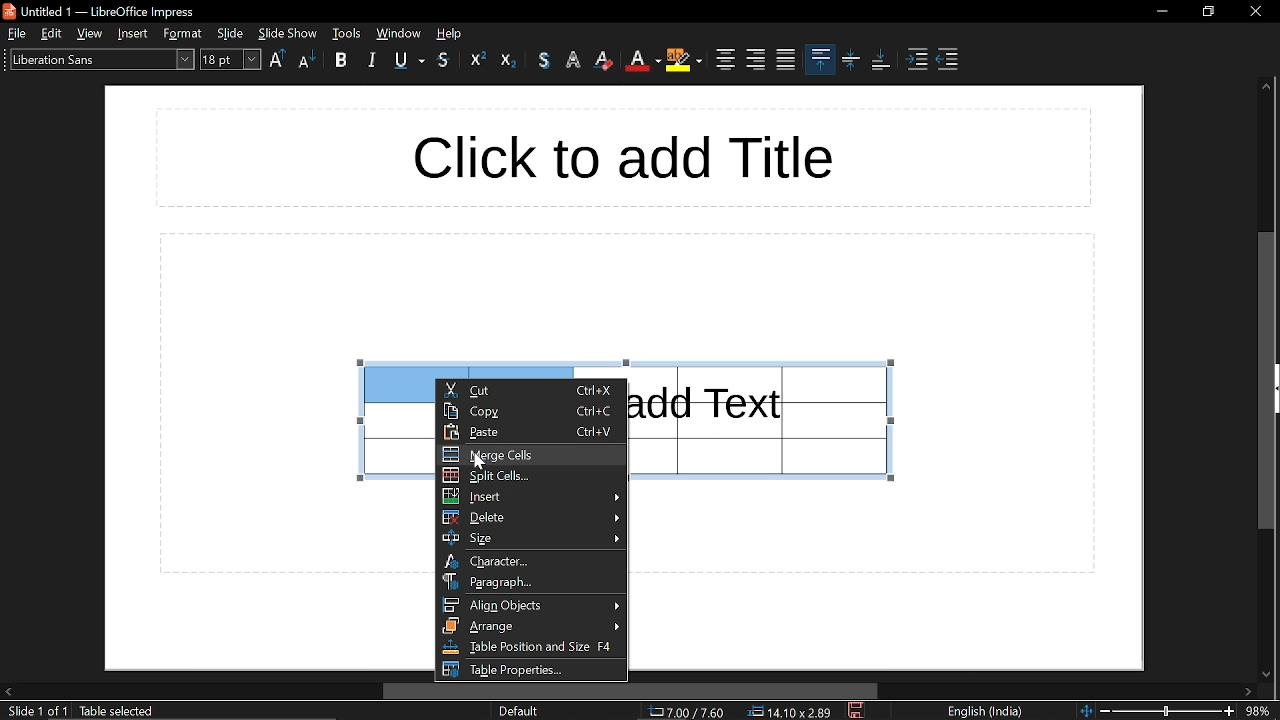  I want to click on slide format, so click(518, 711).